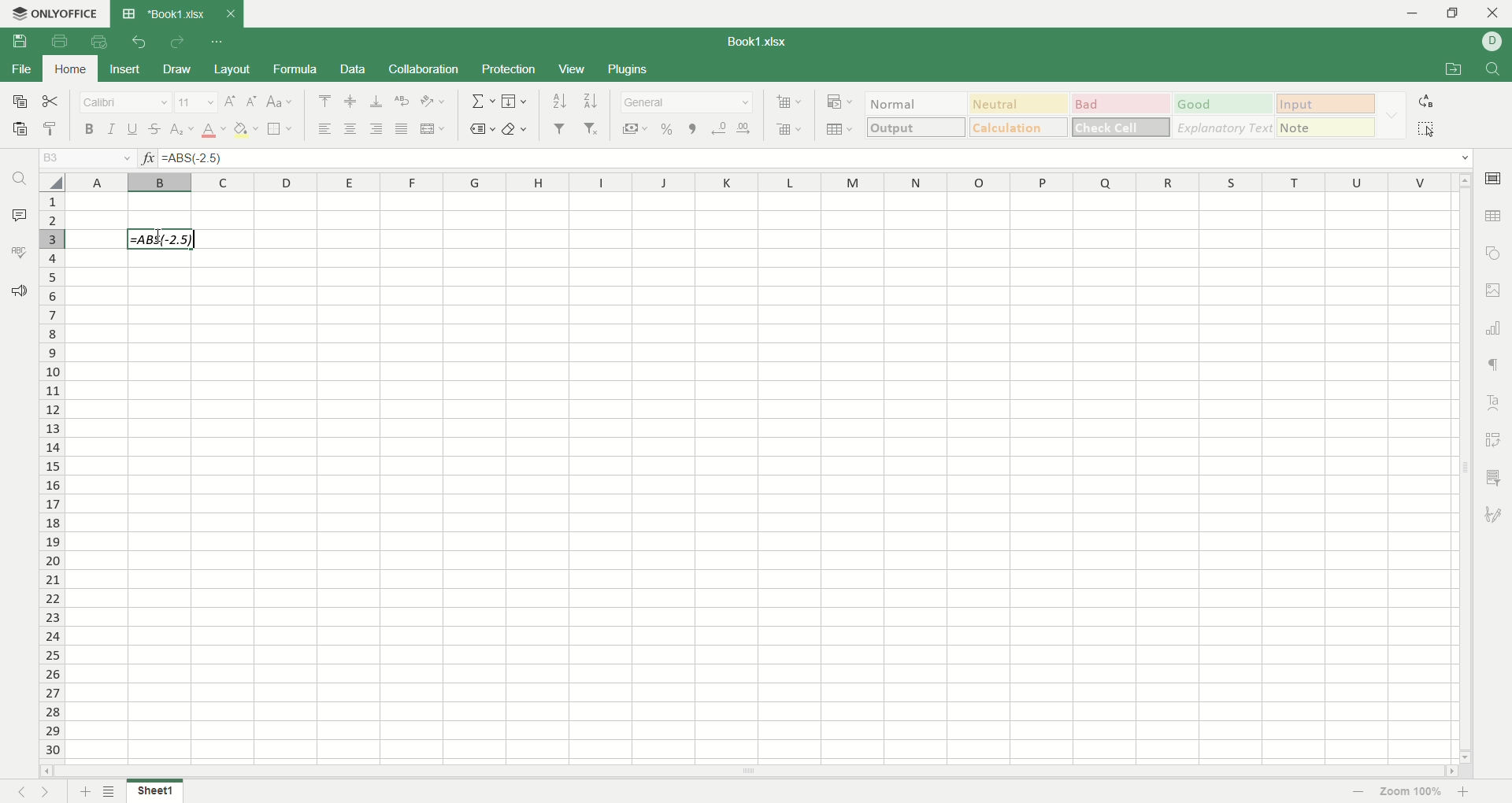 The image size is (1512, 803). What do you see at coordinates (128, 101) in the screenshot?
I see `font name` at bounding box center [128, 101].